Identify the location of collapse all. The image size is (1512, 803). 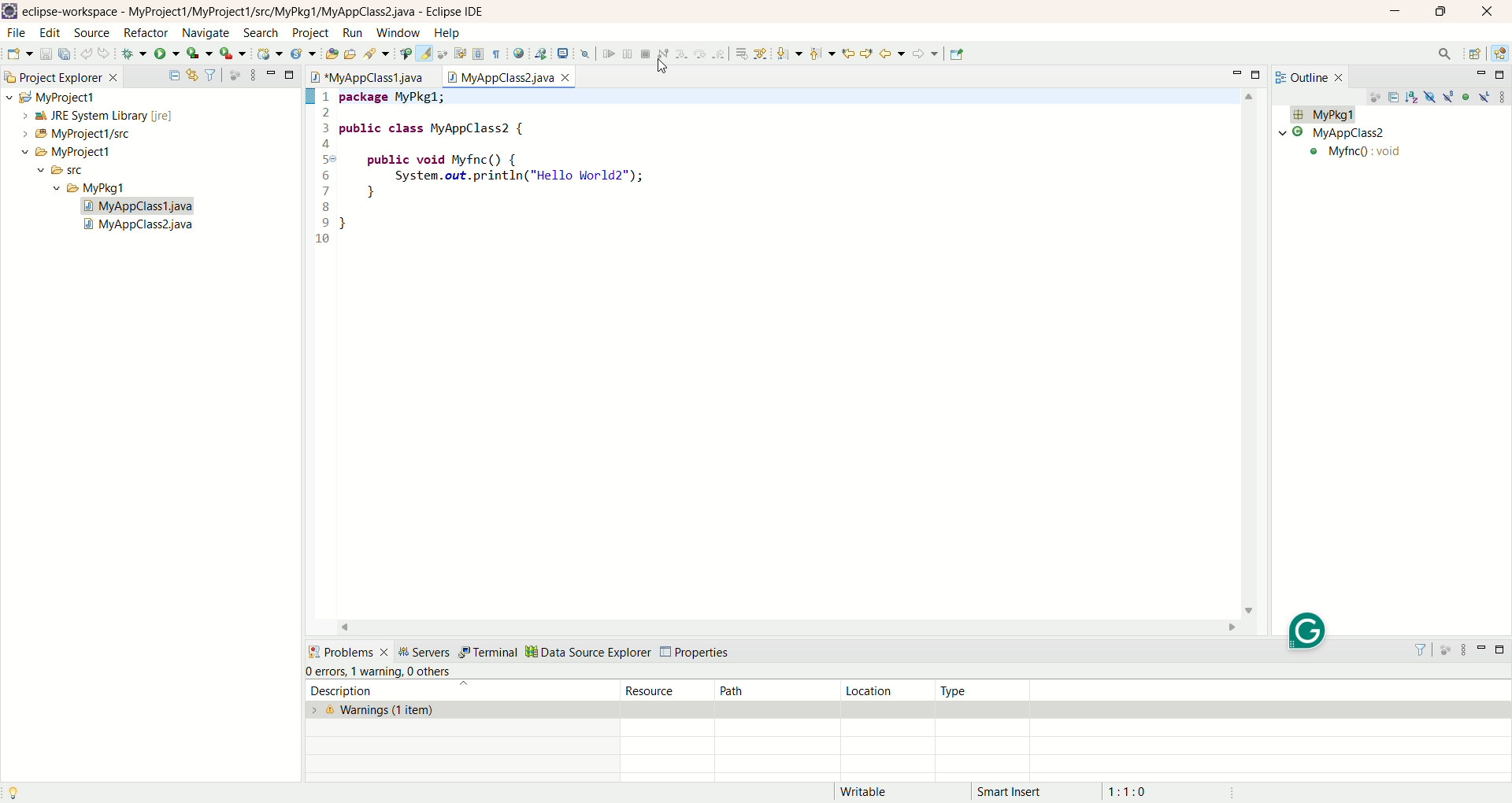
(174, 76).